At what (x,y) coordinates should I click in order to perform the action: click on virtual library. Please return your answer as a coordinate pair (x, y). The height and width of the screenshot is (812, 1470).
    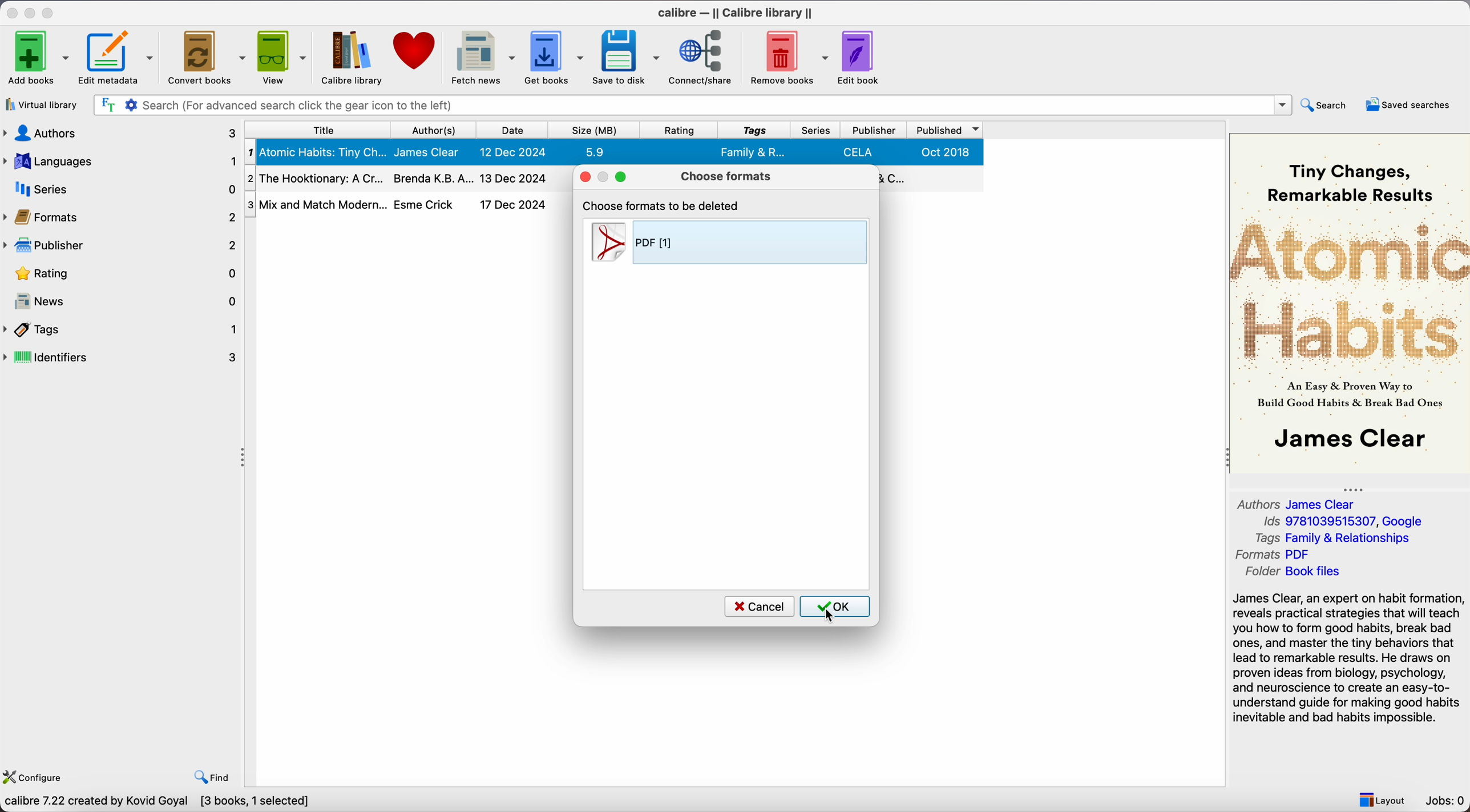
    Looking at the image, I should click on (42, 106).